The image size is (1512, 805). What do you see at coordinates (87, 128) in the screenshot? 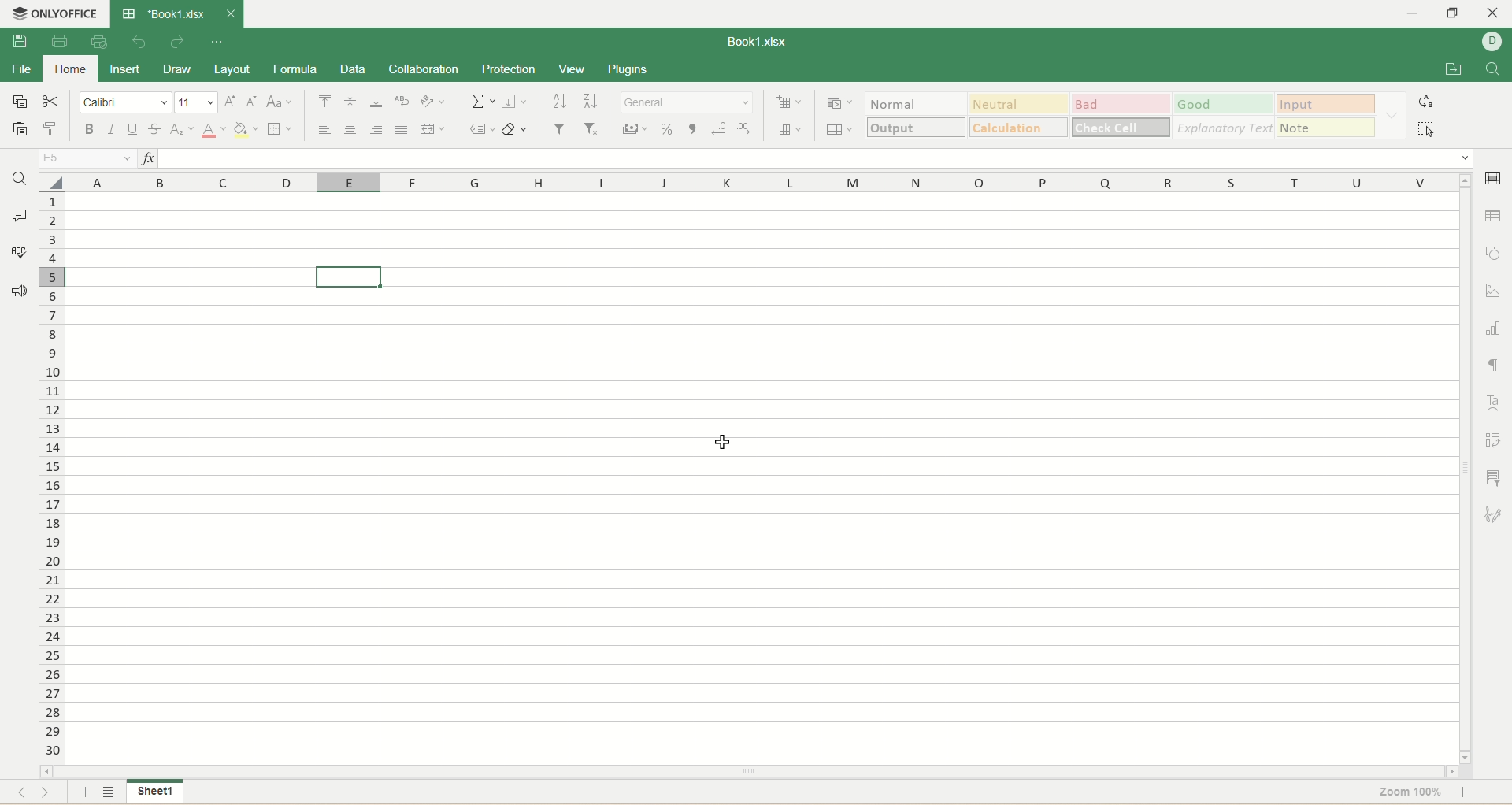
I see `bold` at bounding box center [87, 128].